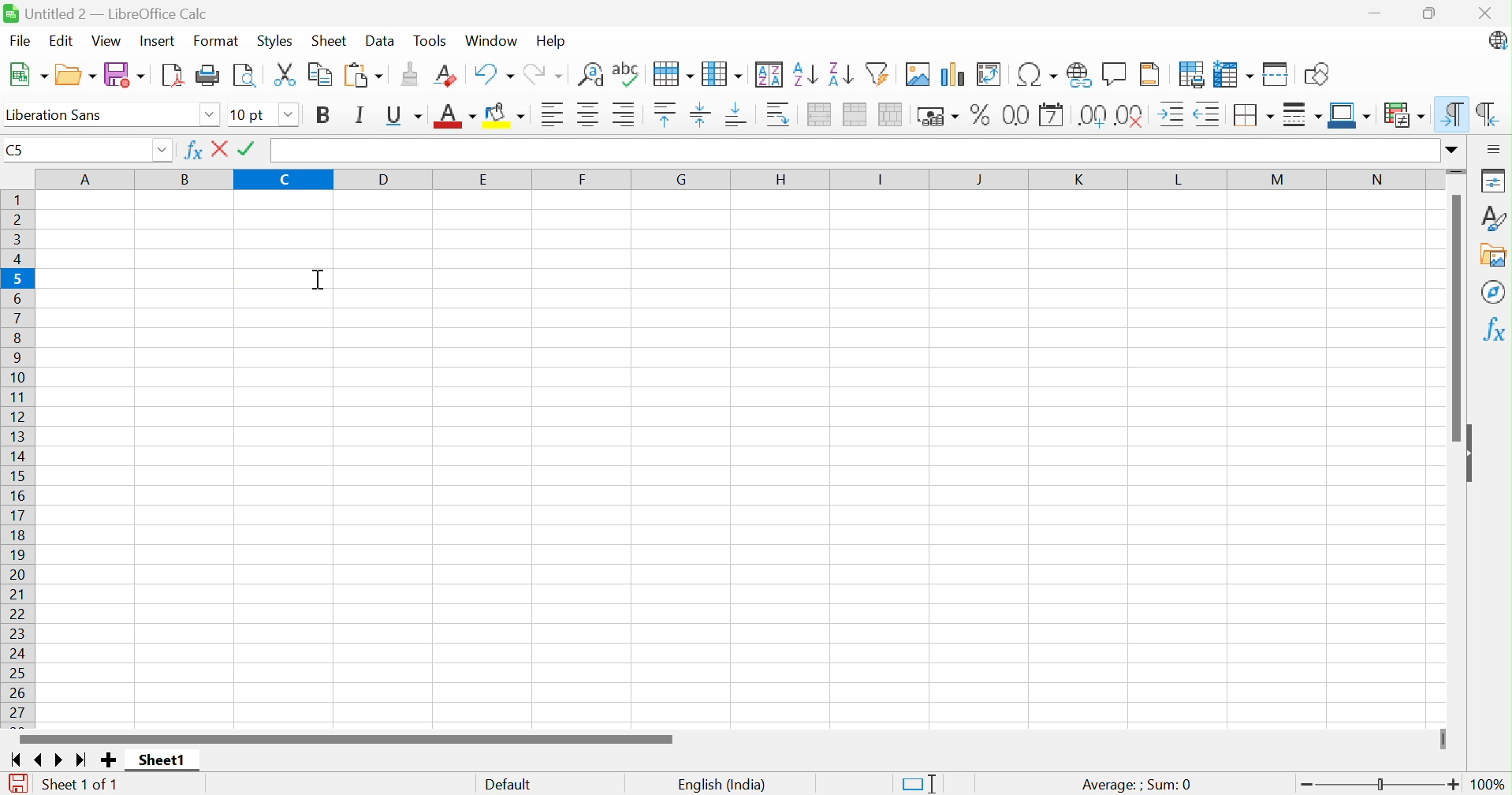  I want to click on Cursor, so click(318, 280).